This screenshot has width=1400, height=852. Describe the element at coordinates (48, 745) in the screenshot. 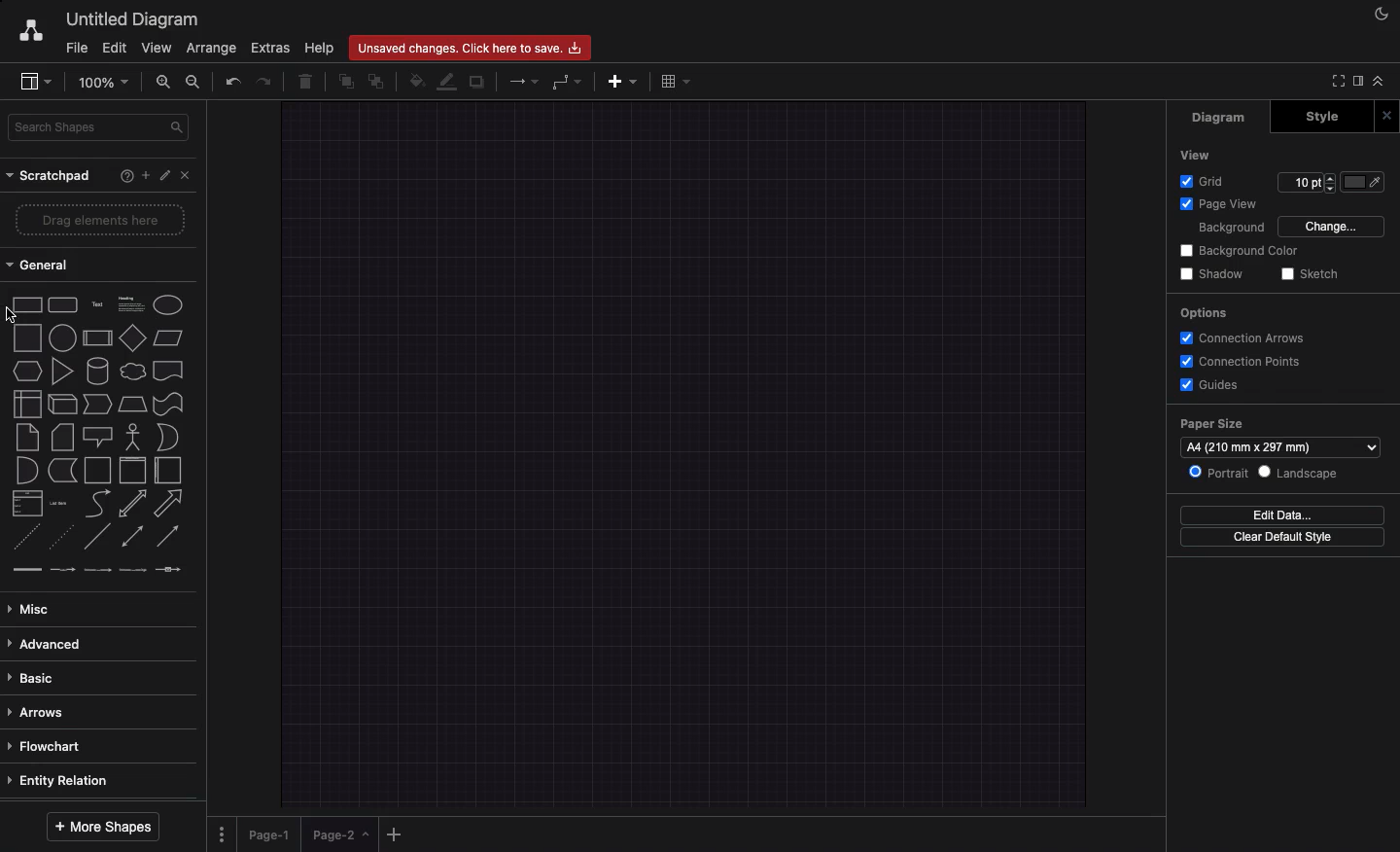

I see `Flowchart` at that location.